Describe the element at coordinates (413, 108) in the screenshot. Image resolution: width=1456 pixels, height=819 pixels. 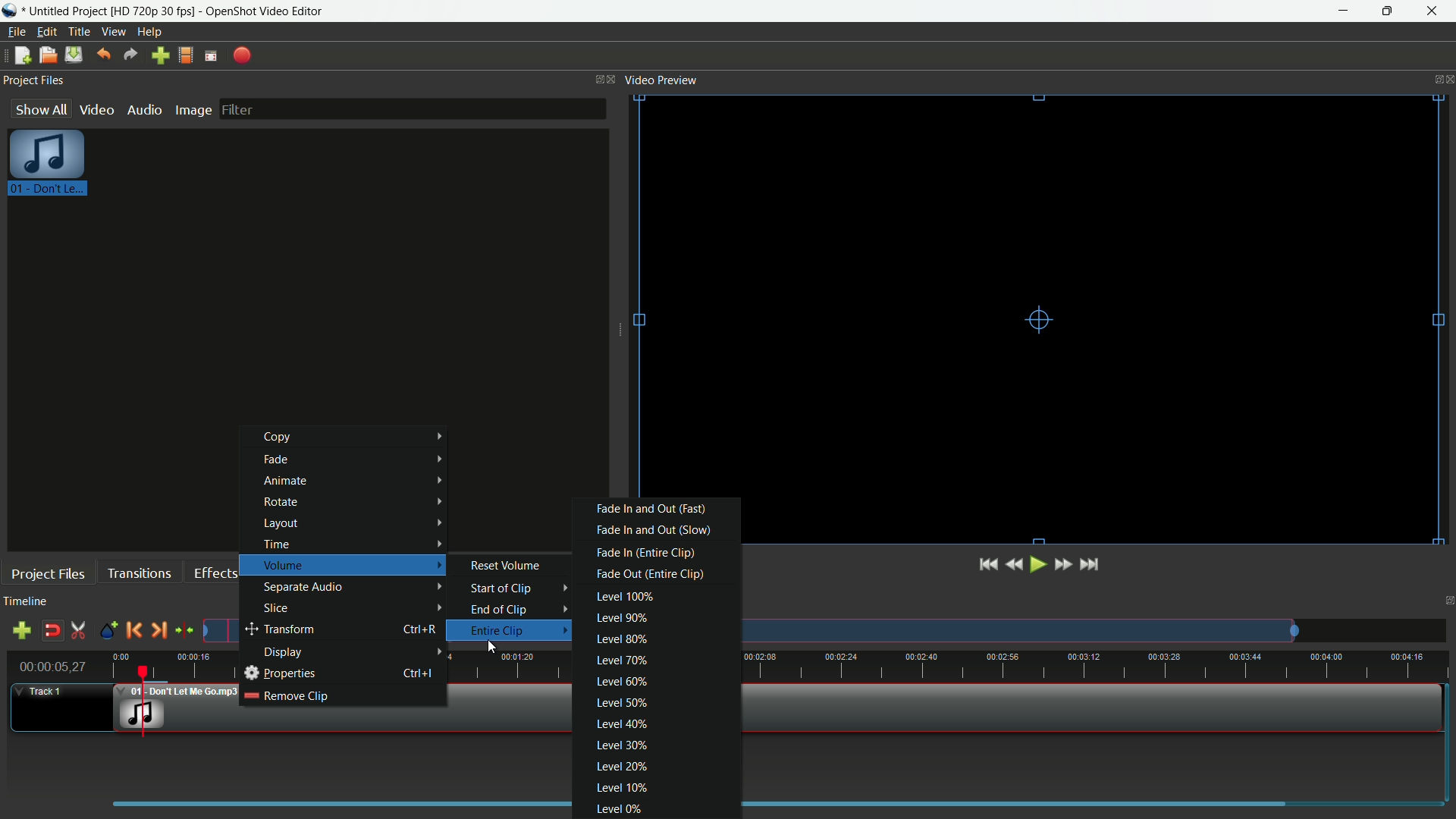
I see `filter bar` at that location.